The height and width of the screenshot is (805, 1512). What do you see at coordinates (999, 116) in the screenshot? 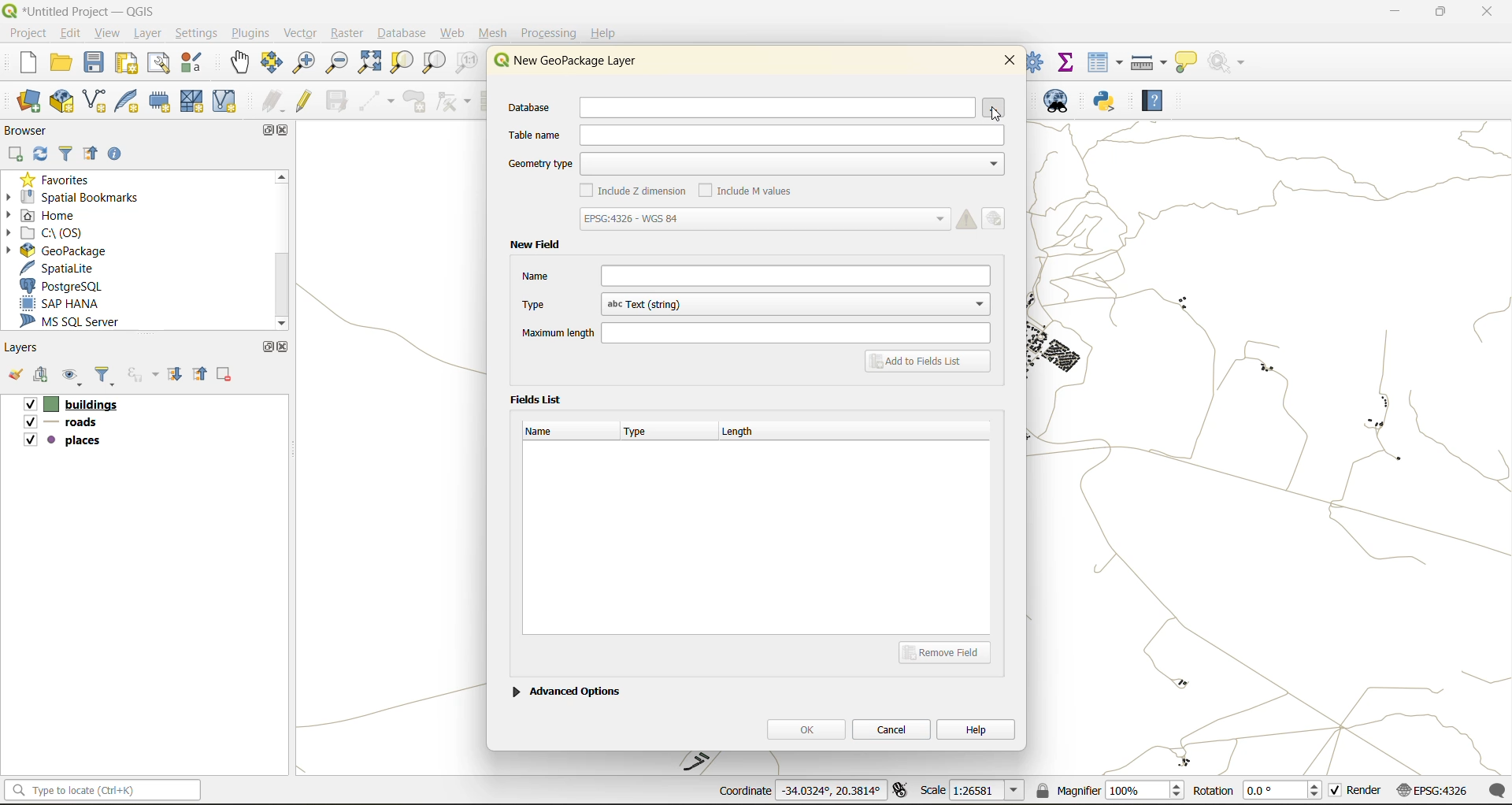
I see `Pointer` at bounding box center [999, 116].